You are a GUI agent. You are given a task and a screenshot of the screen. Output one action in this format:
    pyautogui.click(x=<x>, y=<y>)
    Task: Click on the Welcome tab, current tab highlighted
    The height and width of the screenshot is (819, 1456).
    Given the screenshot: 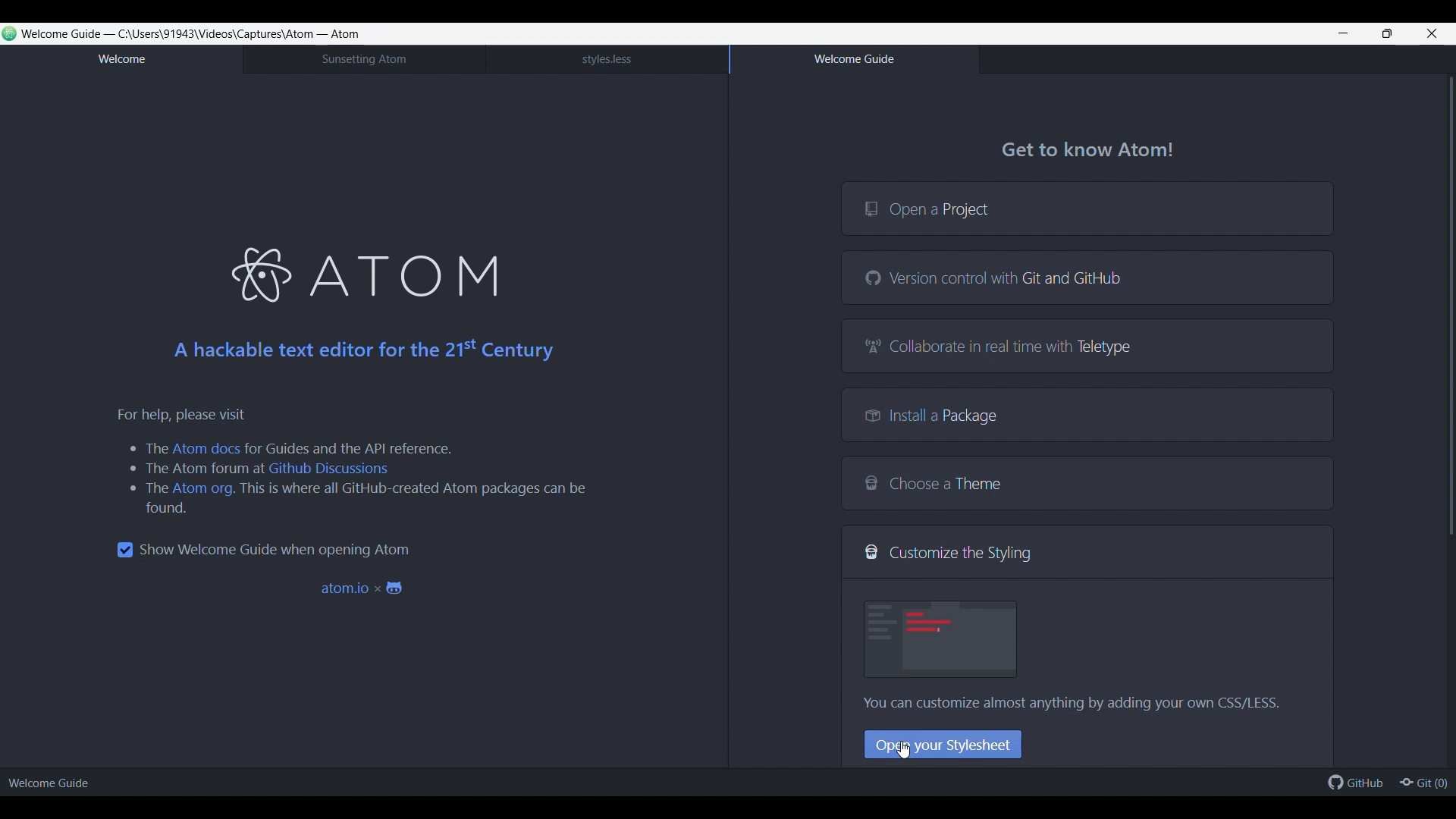 What is the action you would take?
    pyautogui.click(x=121, y=60)
    